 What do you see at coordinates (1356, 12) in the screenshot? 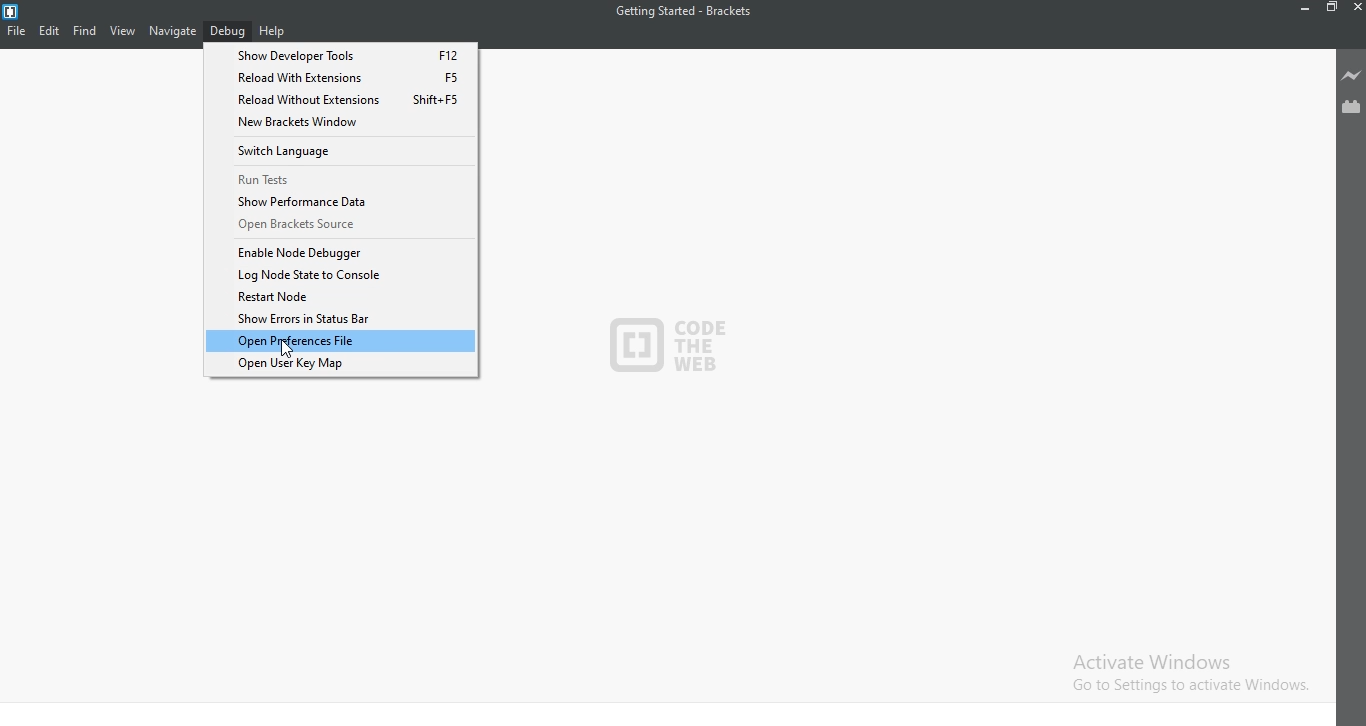
I see `close` at bounding box center [1356, 12].